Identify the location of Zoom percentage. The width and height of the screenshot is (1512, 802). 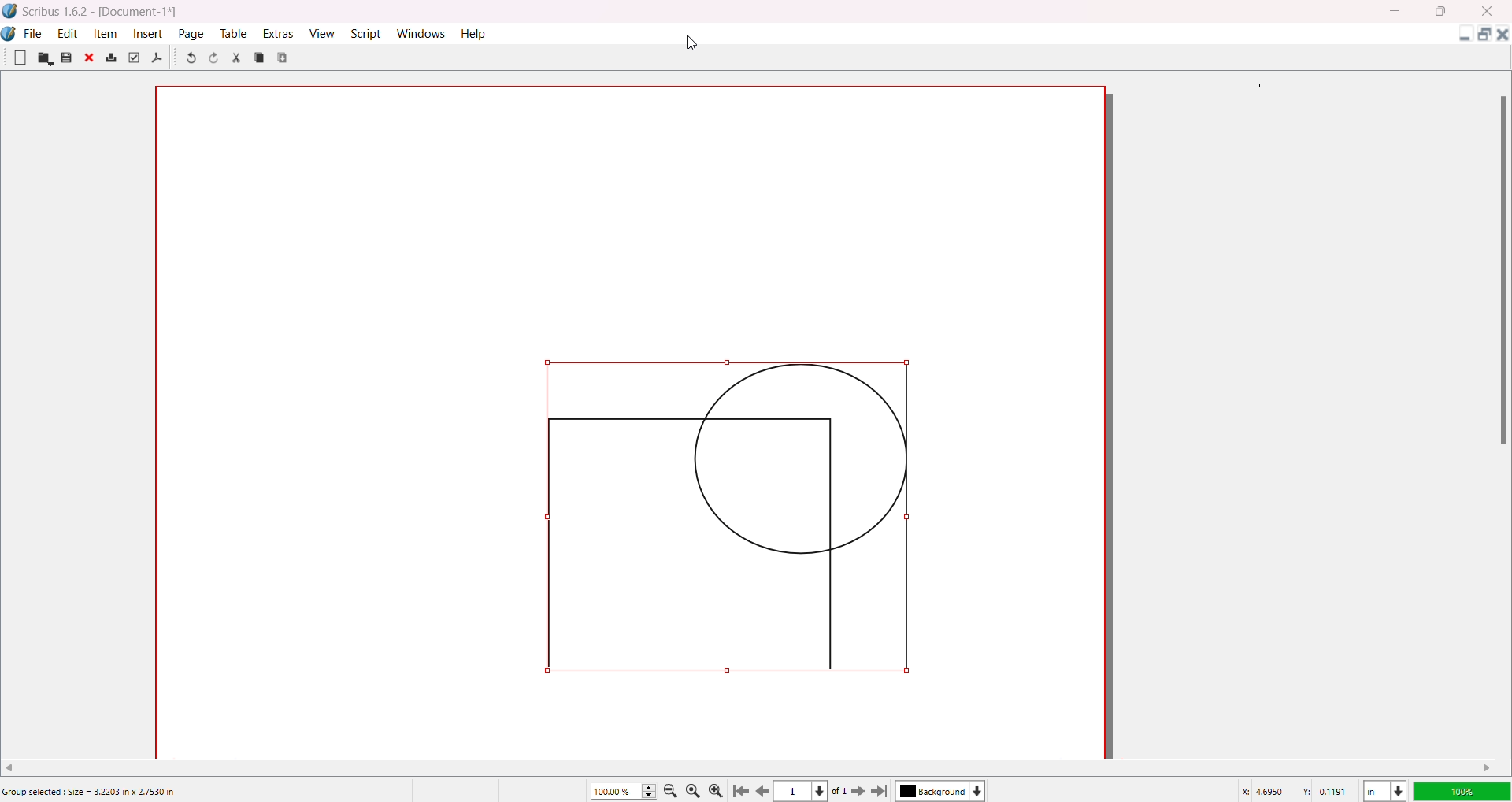
(614, 790).